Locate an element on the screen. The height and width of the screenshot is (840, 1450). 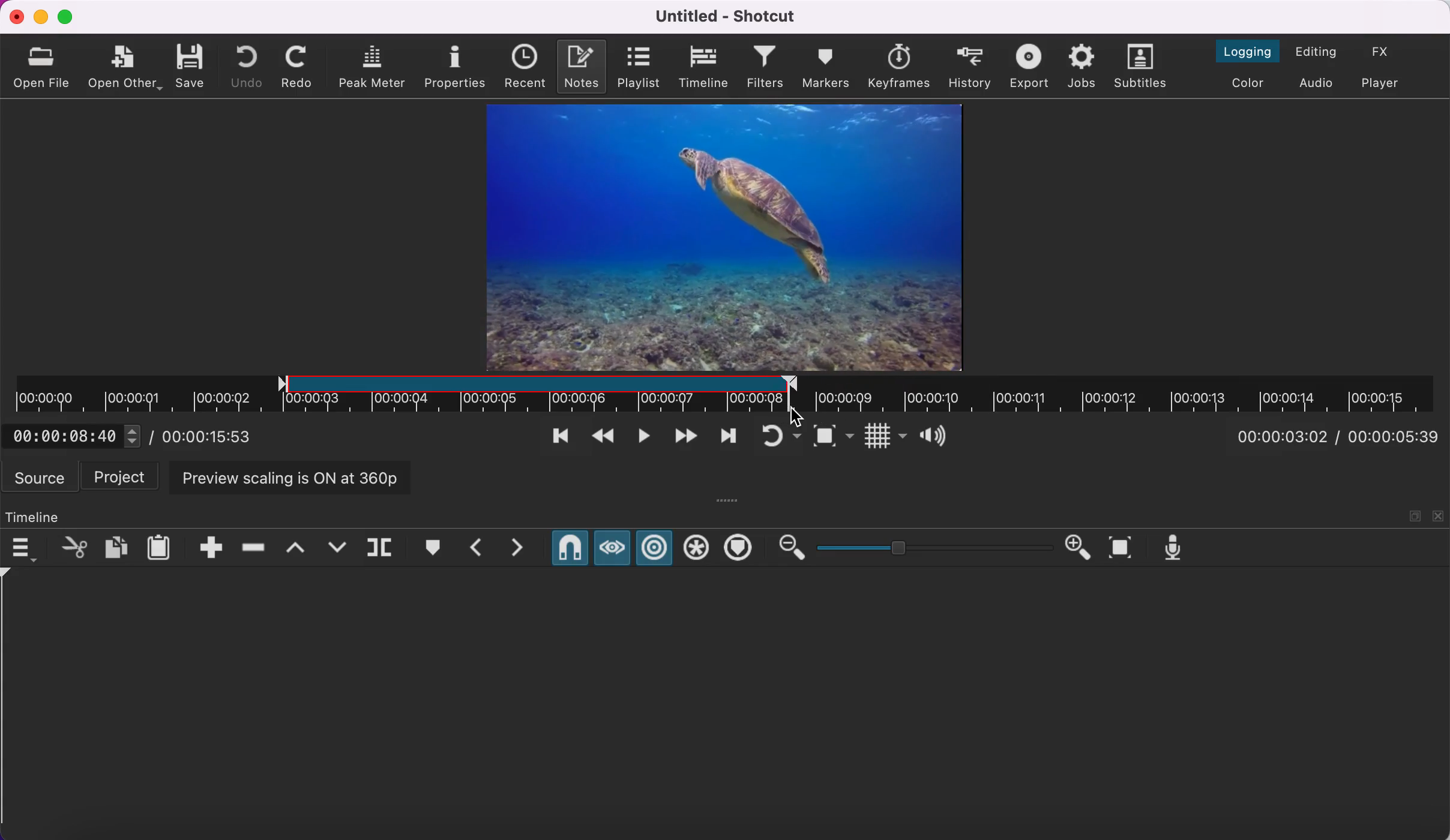
copy checked filters is located at coordinates (115, 547).